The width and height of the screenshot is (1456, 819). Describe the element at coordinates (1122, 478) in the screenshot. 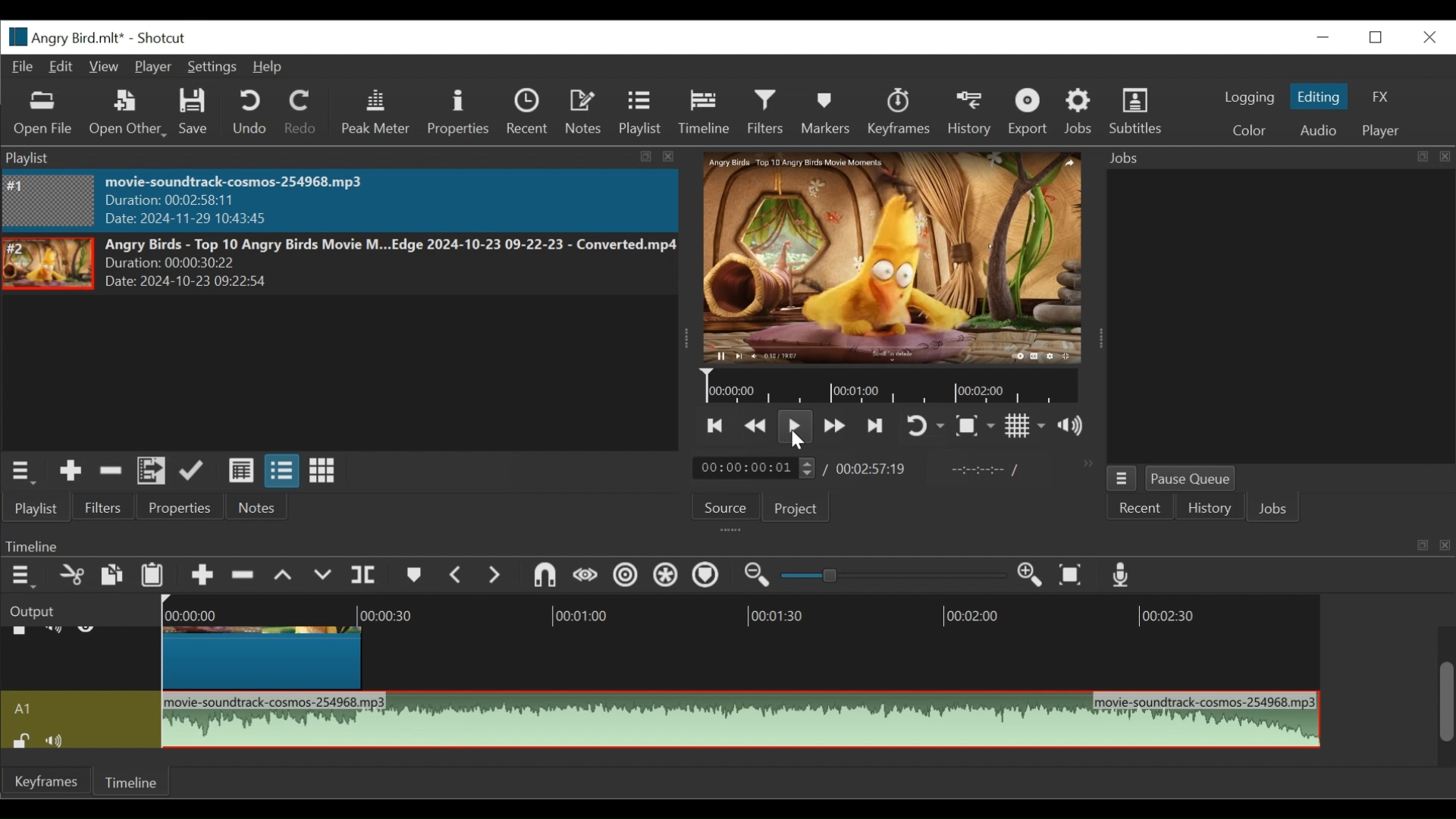

I see `Jobs Menu` at that location.